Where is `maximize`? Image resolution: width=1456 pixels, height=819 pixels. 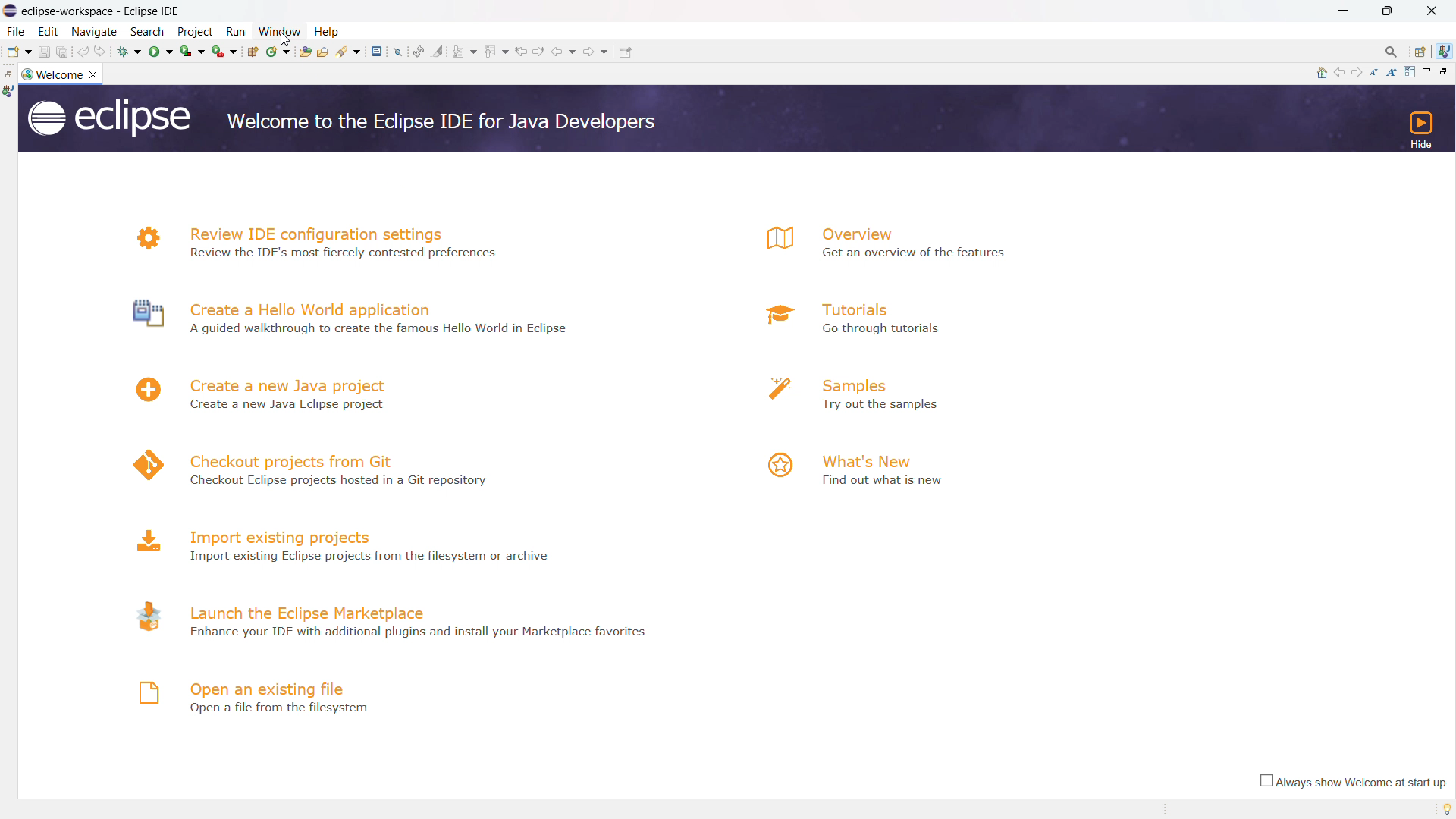
maximize is located at coordinates (1389, 11).